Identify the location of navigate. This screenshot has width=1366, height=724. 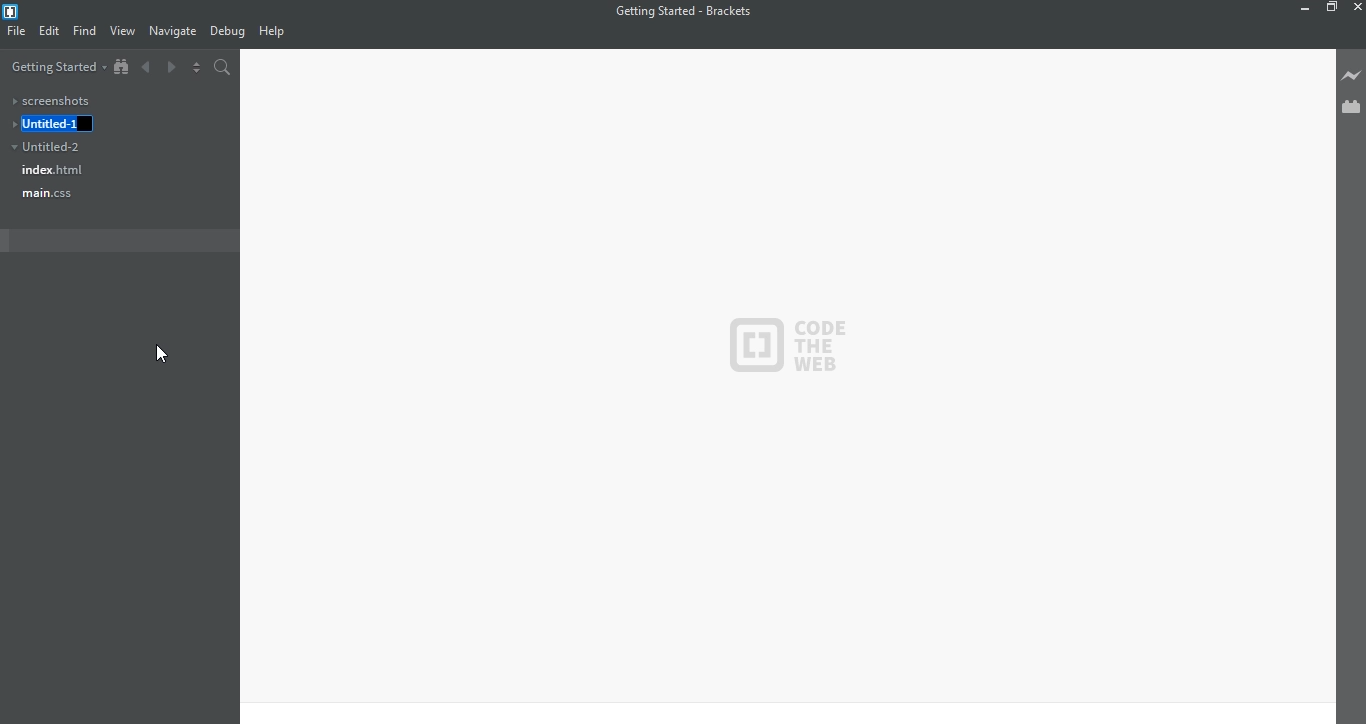
(175, 33).